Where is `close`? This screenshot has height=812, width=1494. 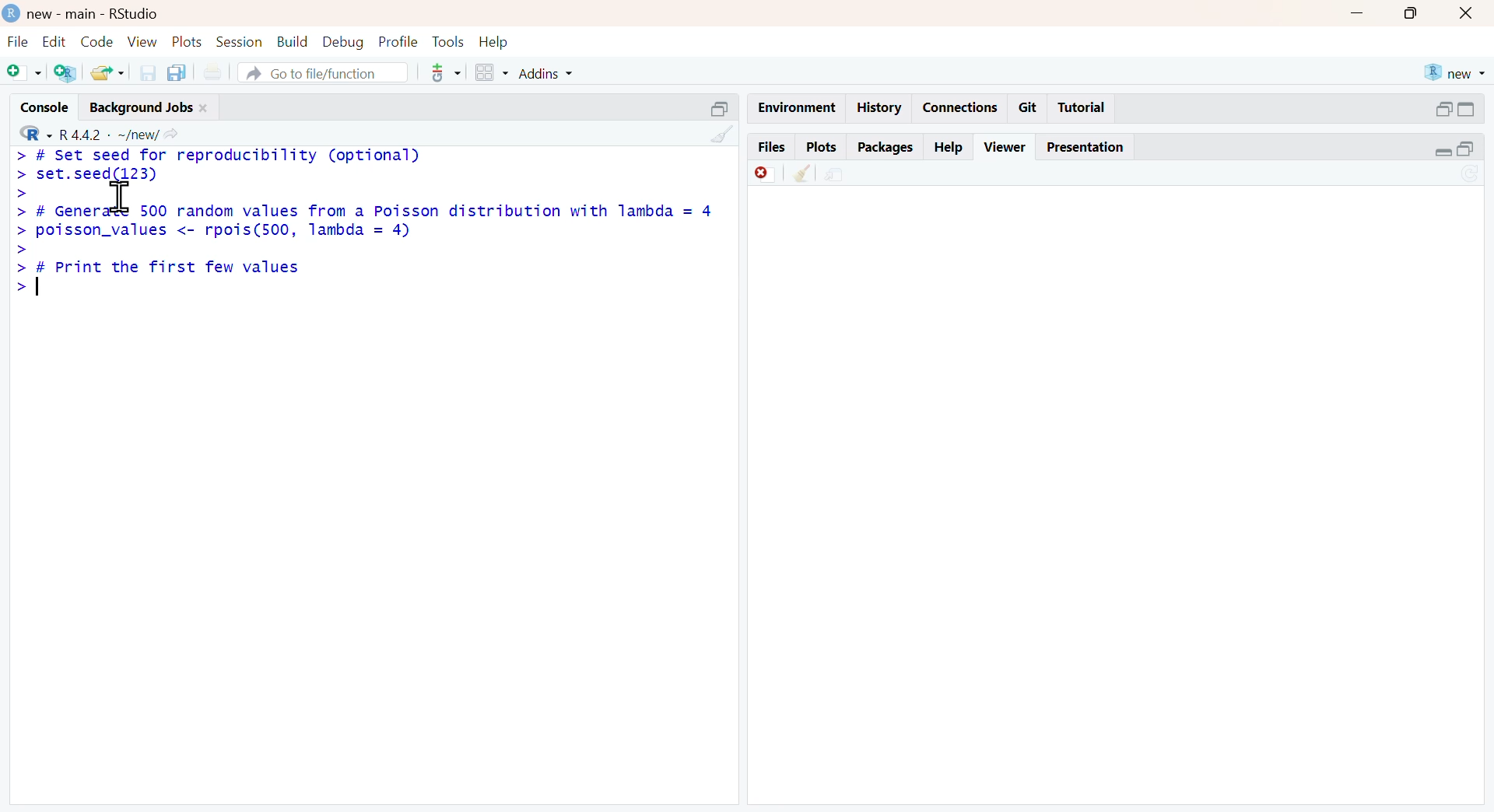
close is located at coordinates (1468, 13).